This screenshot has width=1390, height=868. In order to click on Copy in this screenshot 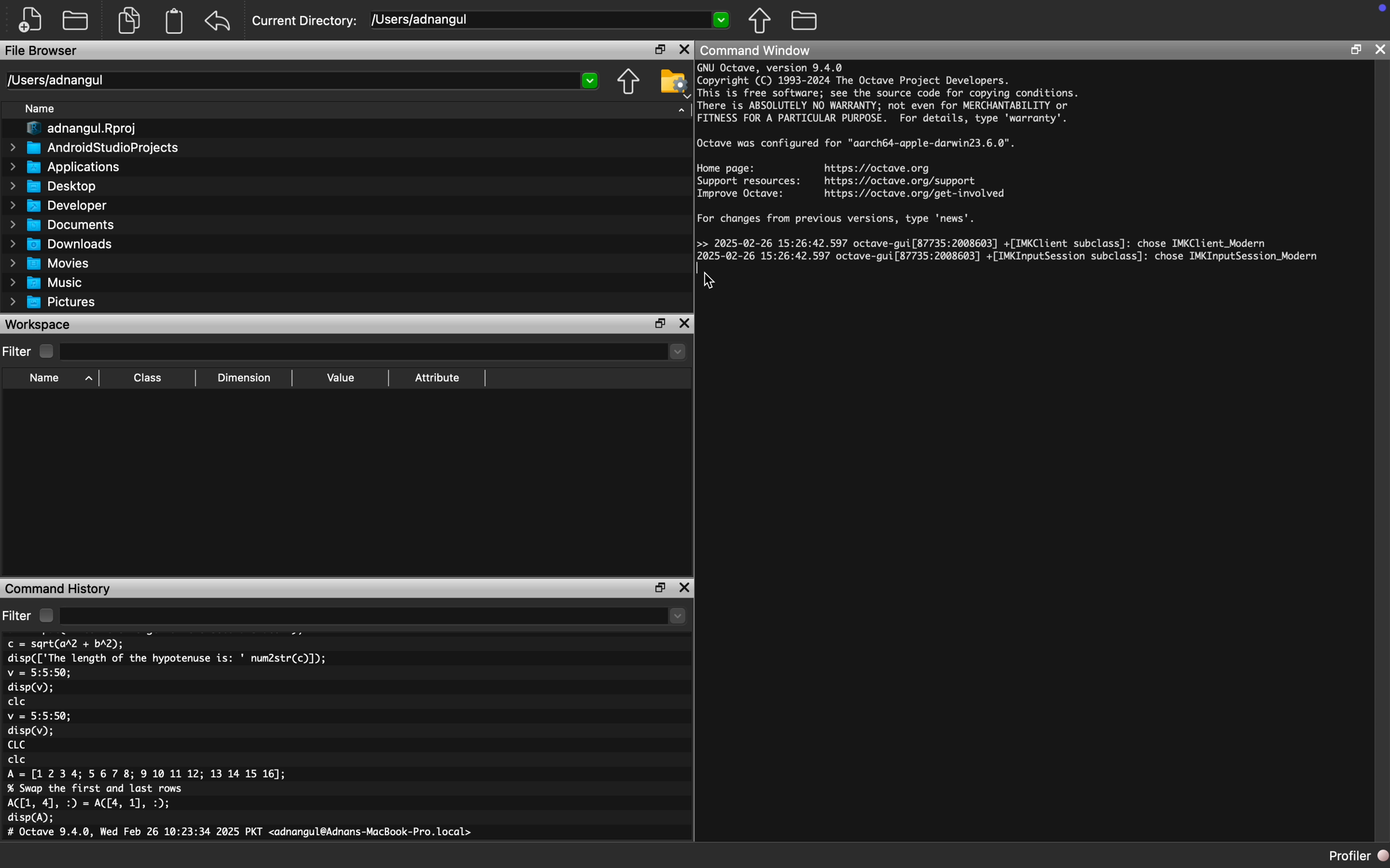, I will do `click(132, 20)`.